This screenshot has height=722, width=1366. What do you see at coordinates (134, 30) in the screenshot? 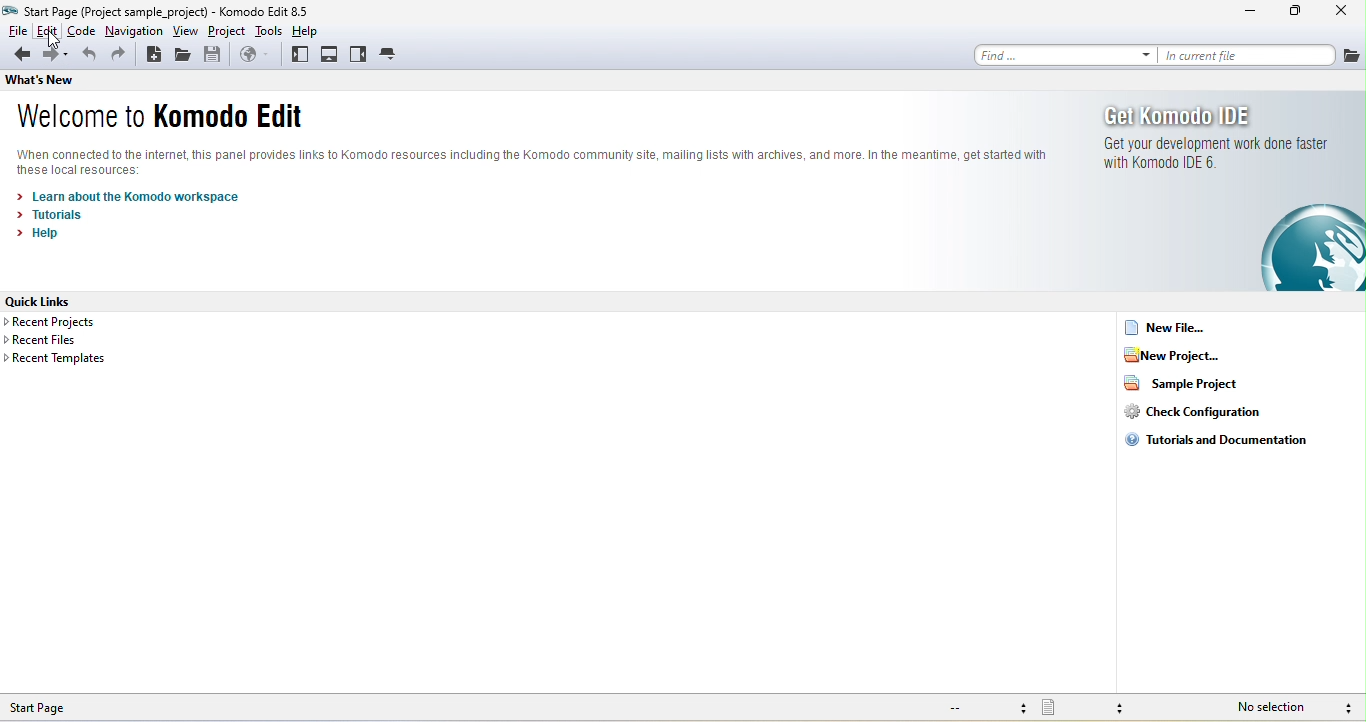
I see `navigation` at bounding box center [134, 30].